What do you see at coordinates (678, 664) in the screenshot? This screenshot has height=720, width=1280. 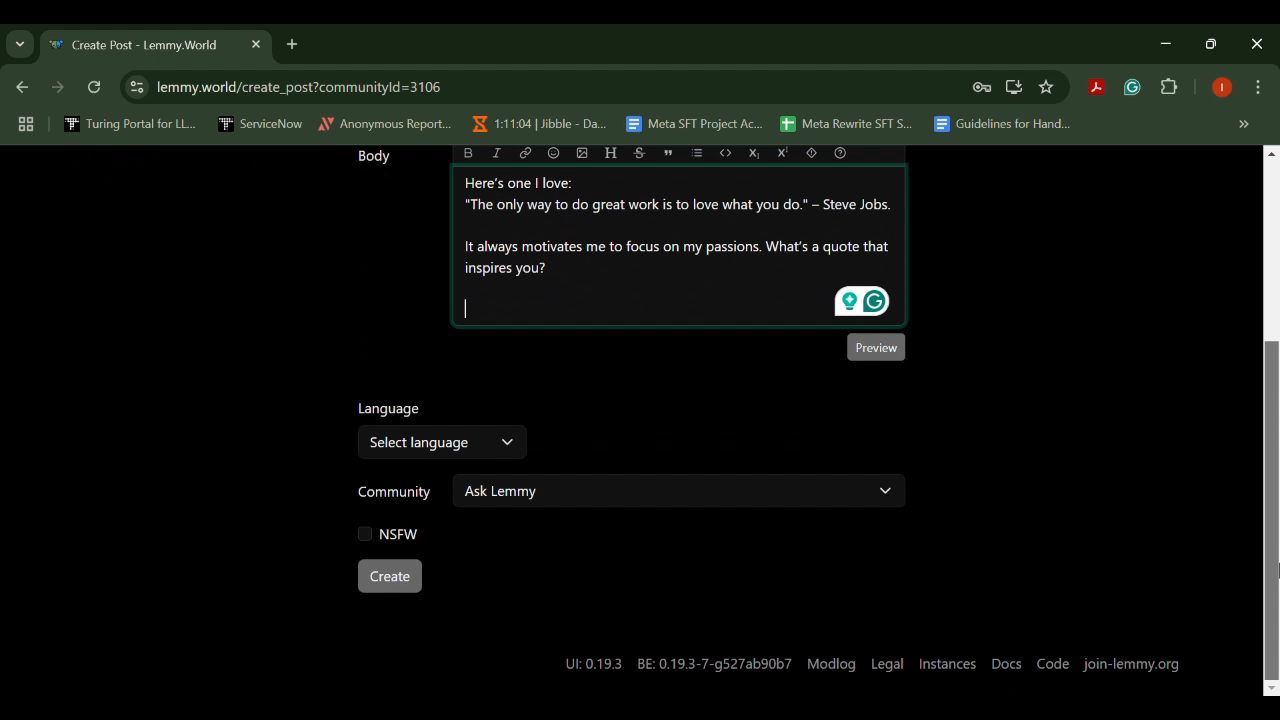 I see `UL0.19.3 BE: 0.19.3-7-g527ab90b7` at bounding box center [678, 664].